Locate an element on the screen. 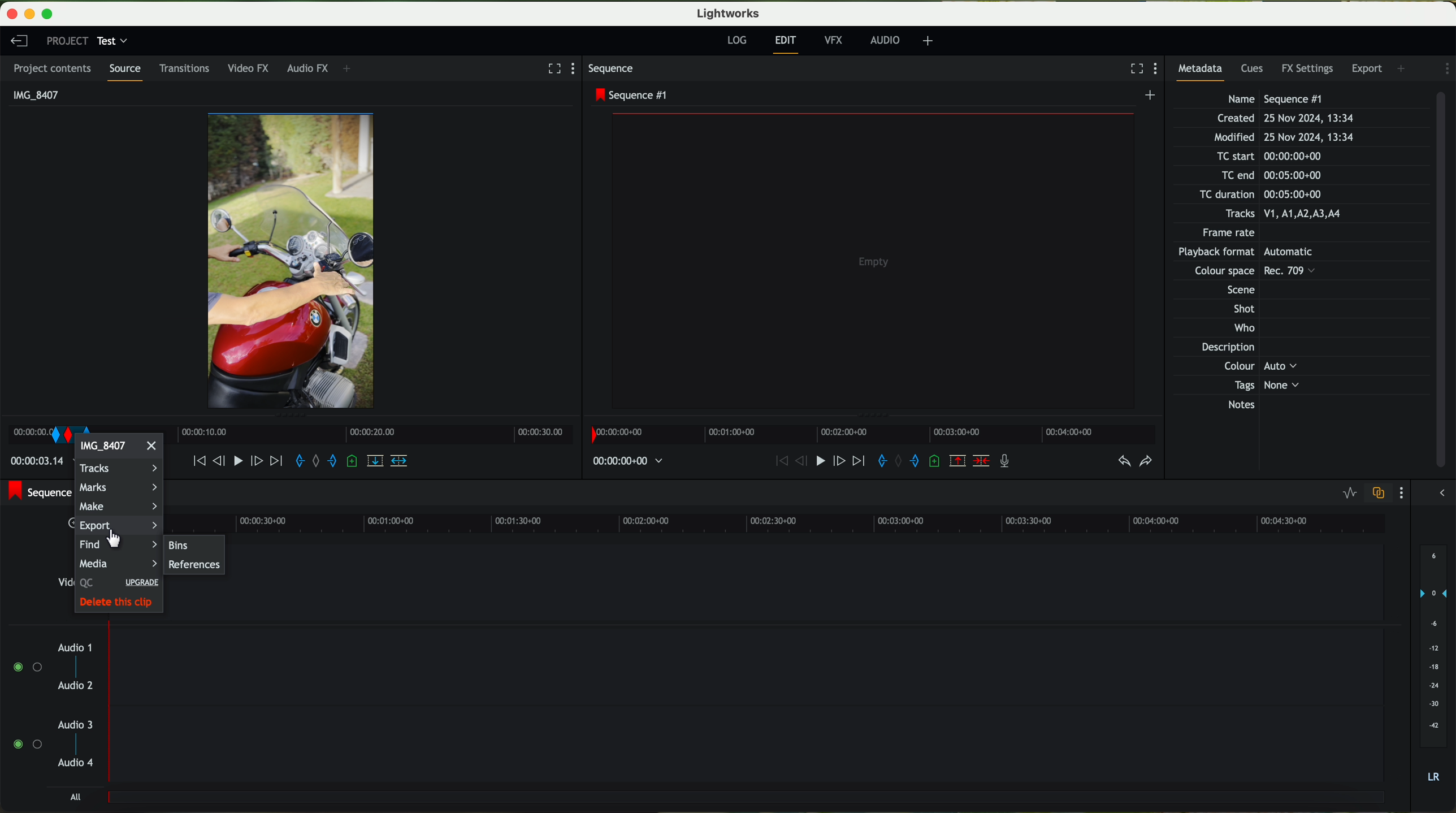  audio 3 is located at coordinates (76, 724).